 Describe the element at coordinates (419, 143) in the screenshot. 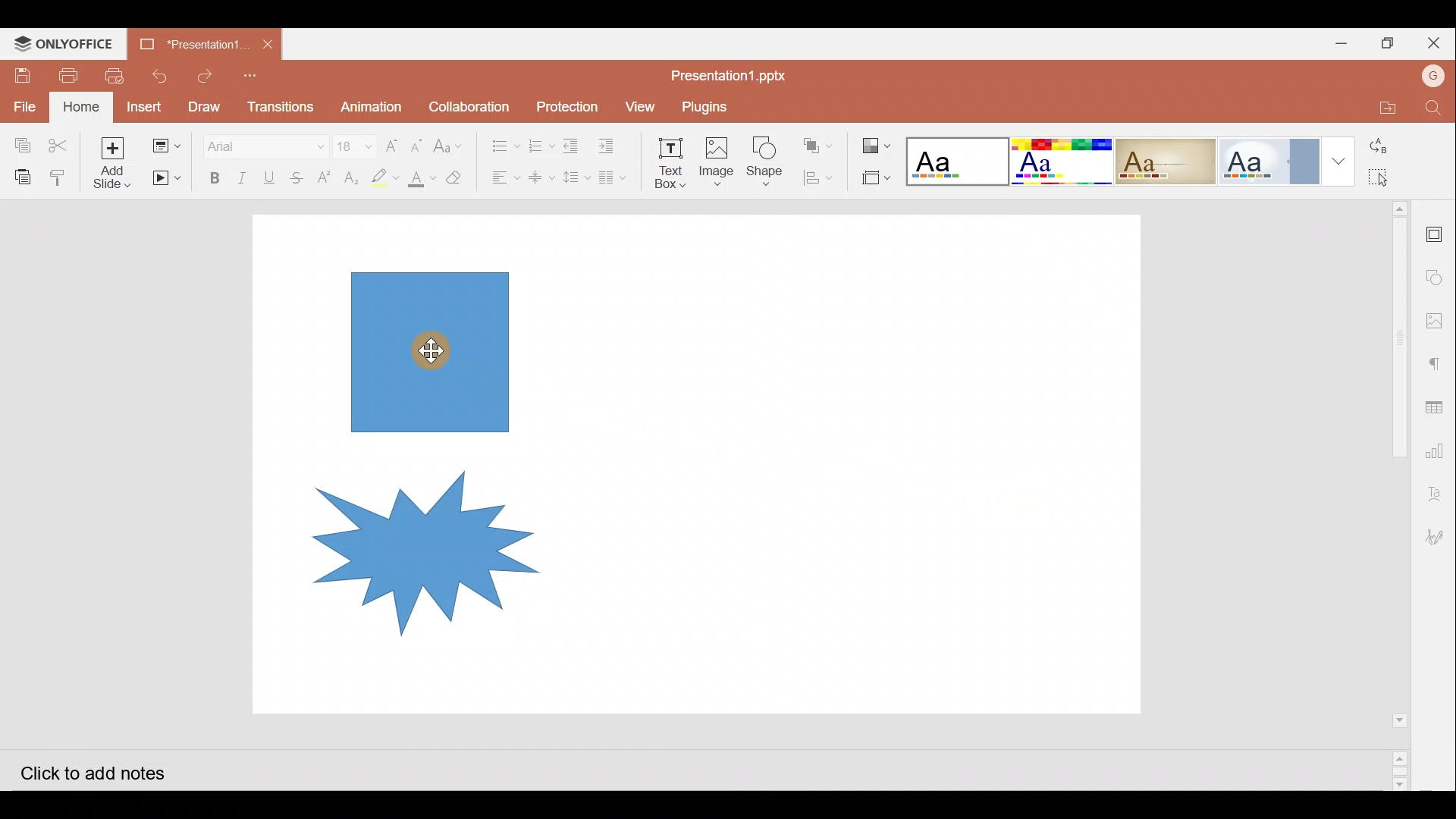

I see `Decrease font size` at that location.